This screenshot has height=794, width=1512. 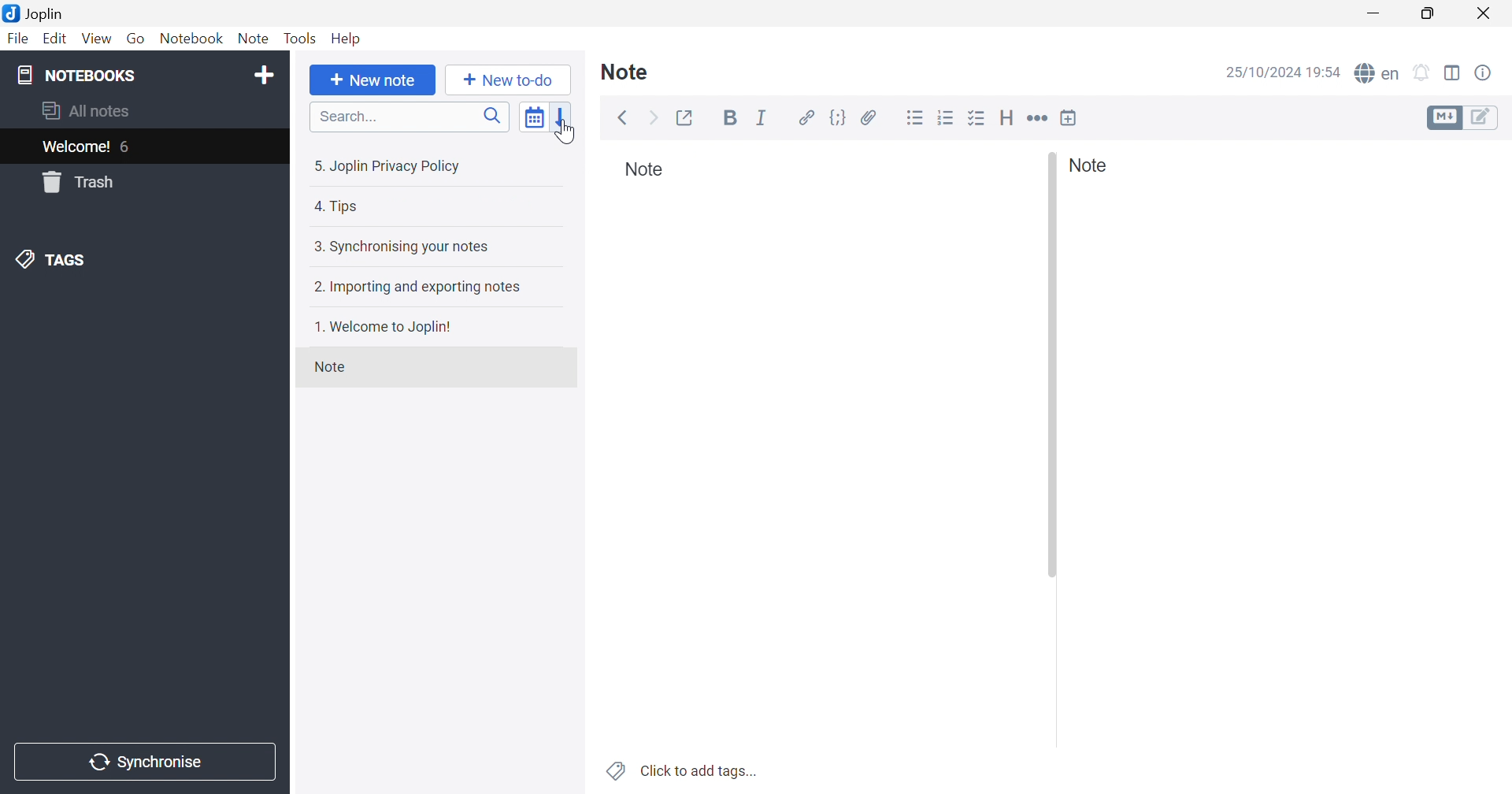 What do you see at coordinates (689, 117) in the screenshot?
I see `Toggle external editing` at bounding box center [689, 117].